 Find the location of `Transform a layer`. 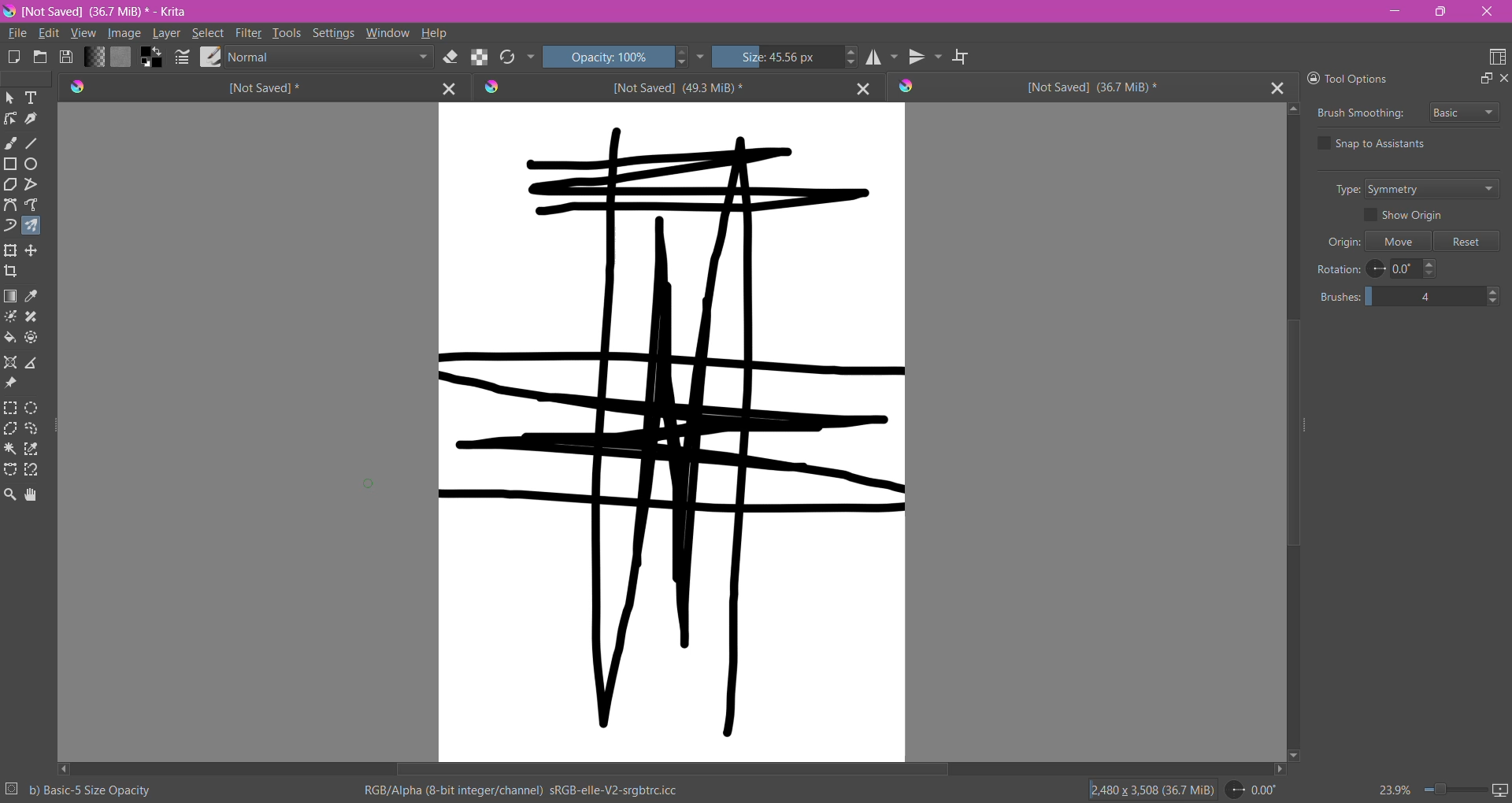

Transform a layer is located at coordinates (35, 250).